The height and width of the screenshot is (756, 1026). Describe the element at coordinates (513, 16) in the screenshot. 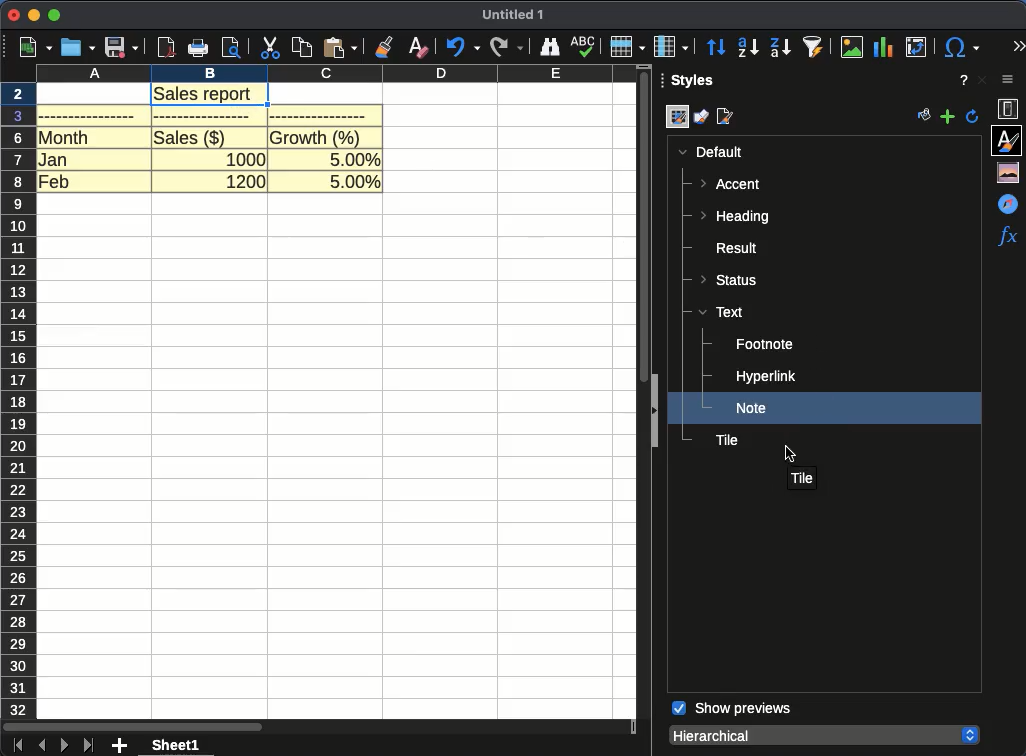

I see `UNTITLED 1` at that location.